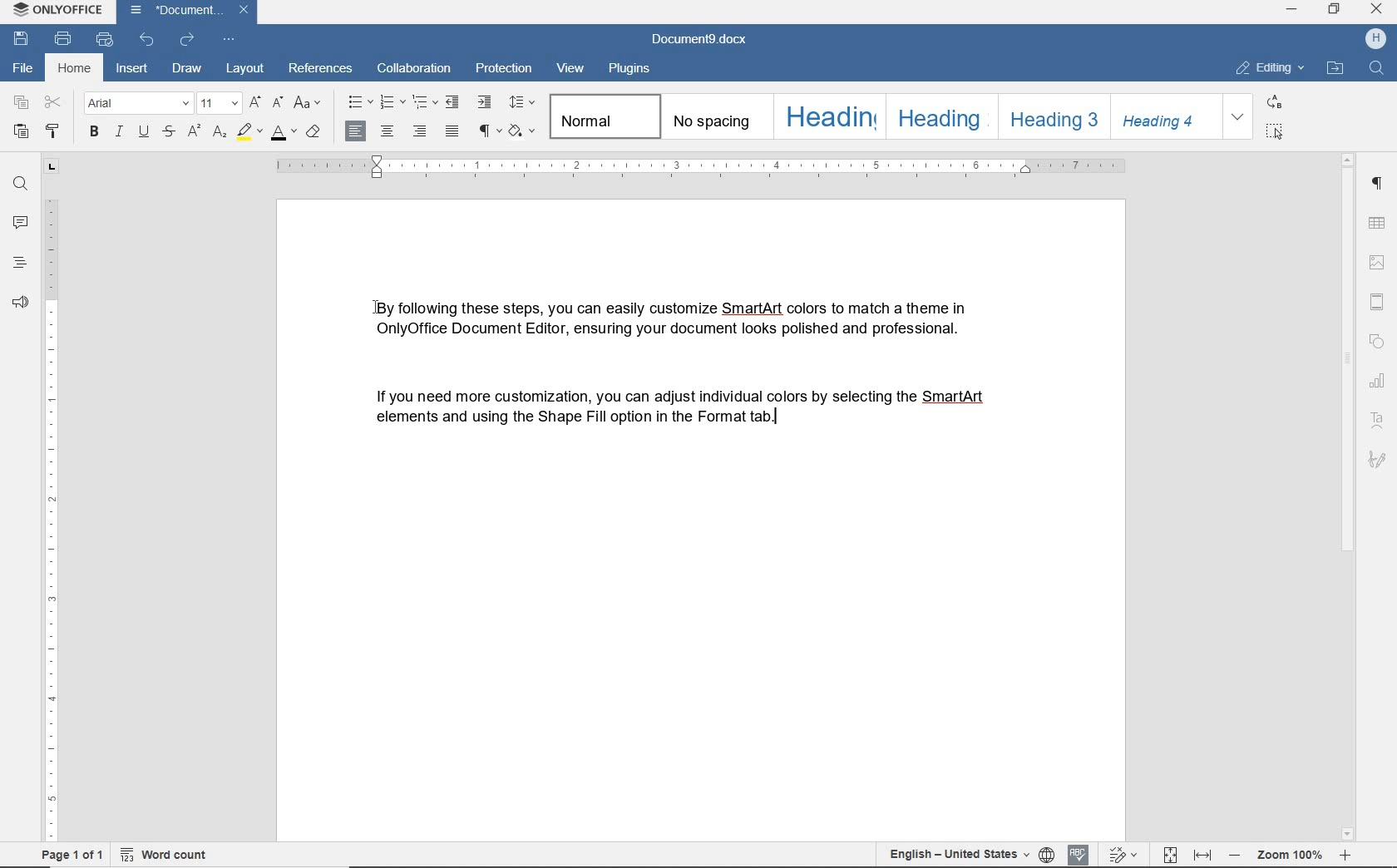 The height and width of the screenshot is (868, 1397). I want to click on paragraph settings, so click(1376, 187).